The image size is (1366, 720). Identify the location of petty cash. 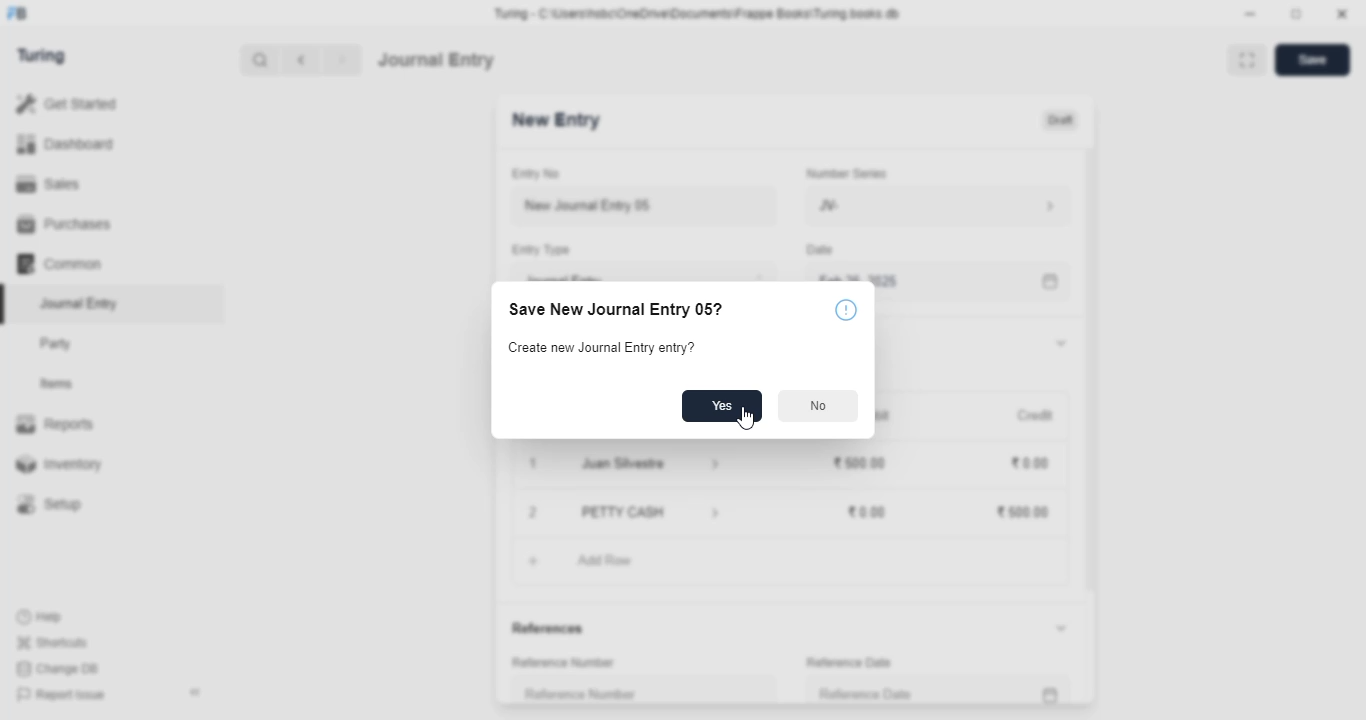
(628, 512).